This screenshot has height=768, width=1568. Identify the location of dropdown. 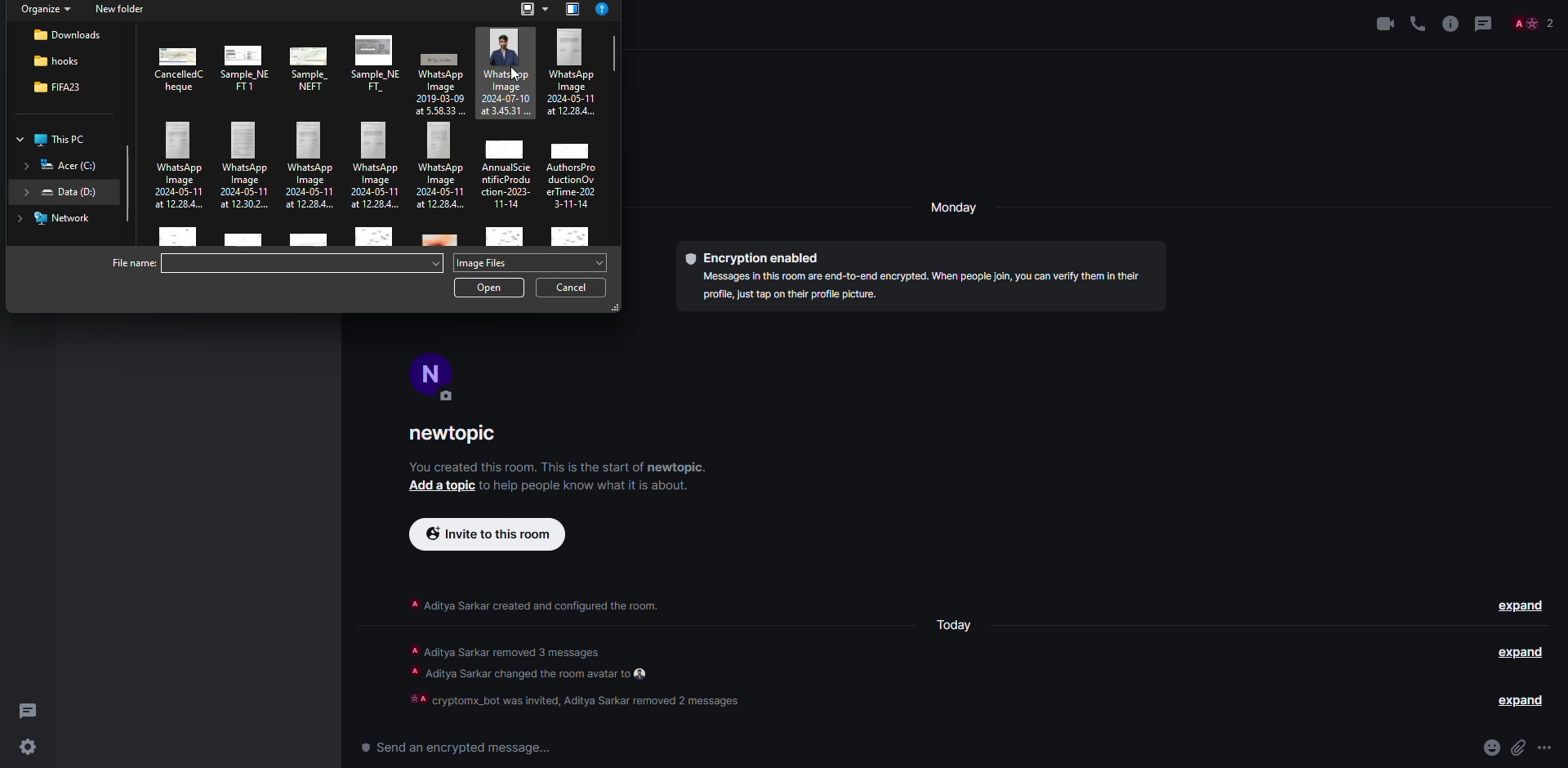
(434, 262).